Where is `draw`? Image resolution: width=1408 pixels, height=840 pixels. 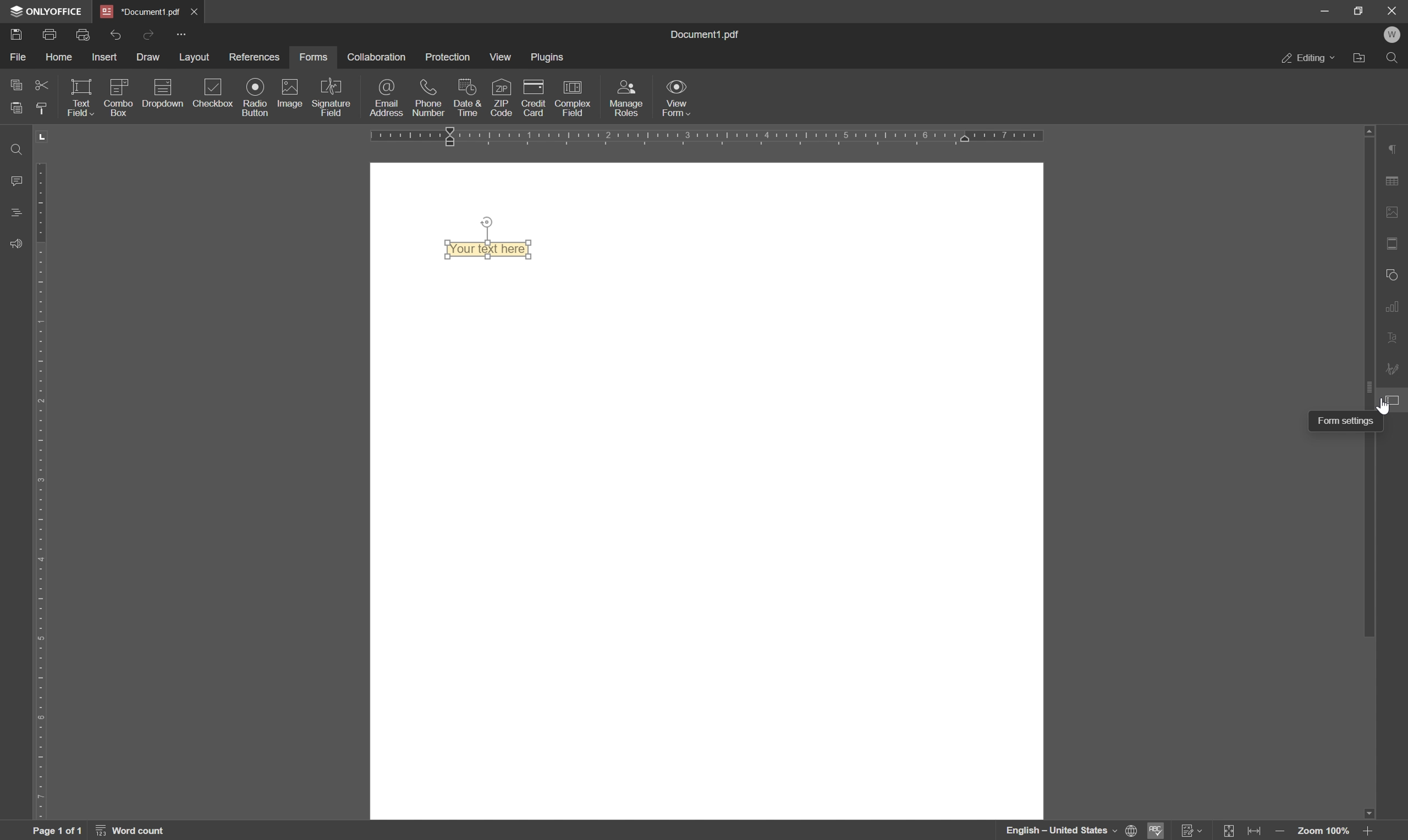 draw is located at coordinates (149, 59).